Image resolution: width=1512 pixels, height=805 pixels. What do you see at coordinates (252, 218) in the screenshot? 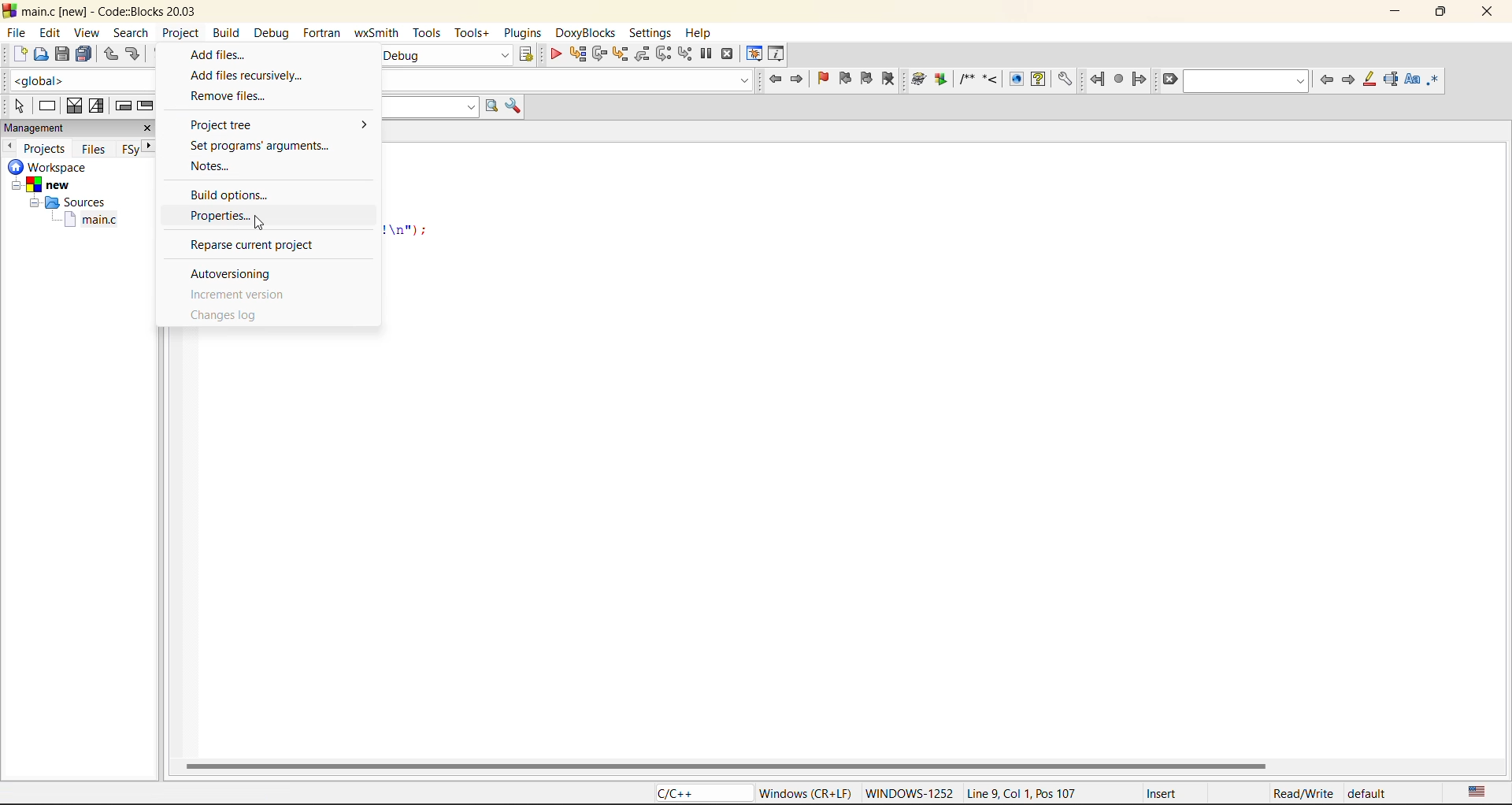
I see `properties` at bounding box center [252, 218].